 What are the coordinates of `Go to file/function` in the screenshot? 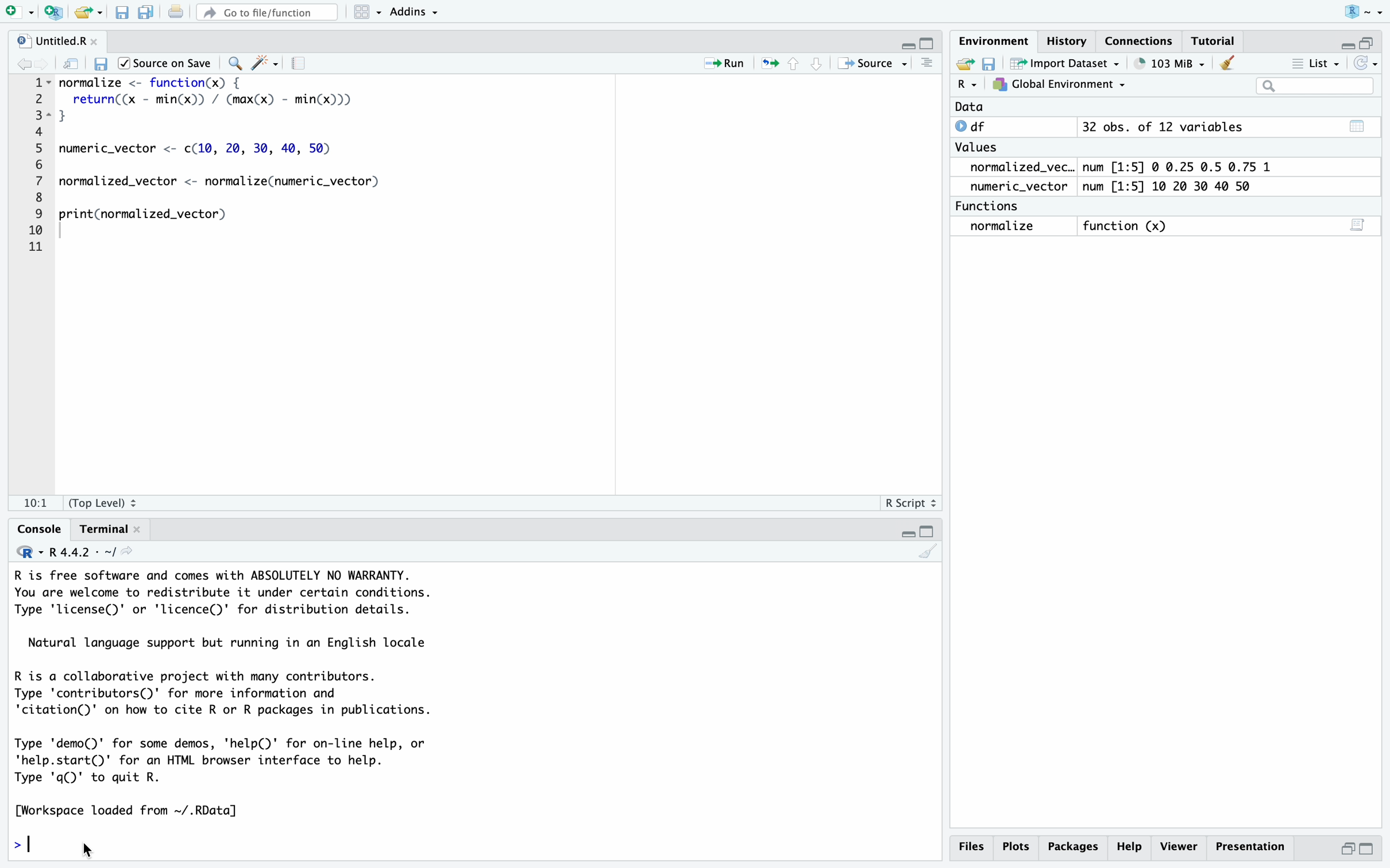 It's located at (267, 14).